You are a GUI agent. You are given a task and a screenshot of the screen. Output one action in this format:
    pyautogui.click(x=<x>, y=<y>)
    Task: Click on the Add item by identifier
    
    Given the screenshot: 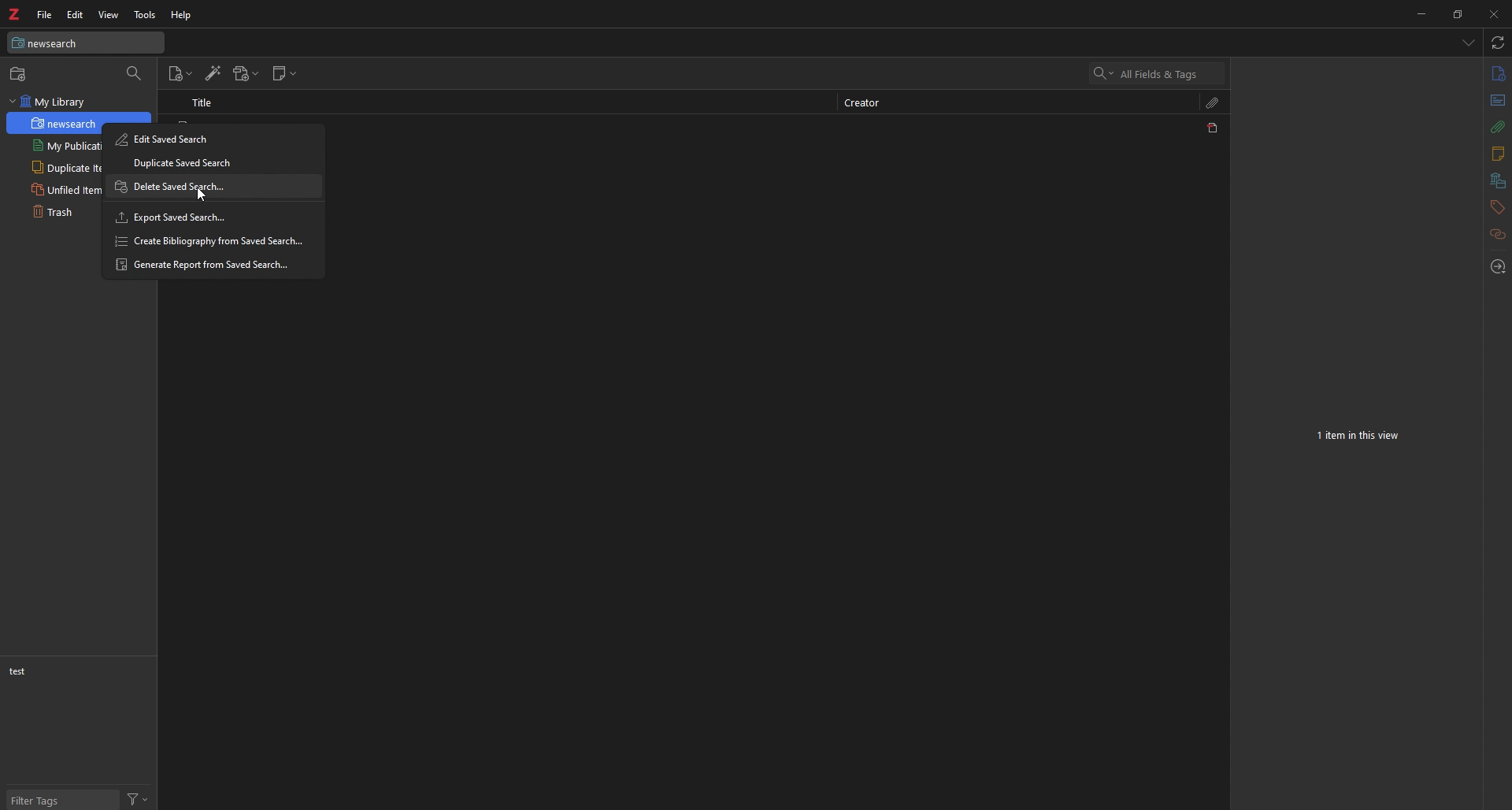 What is the action you would take?
    pyautogui.click(x=211, y=74)
    